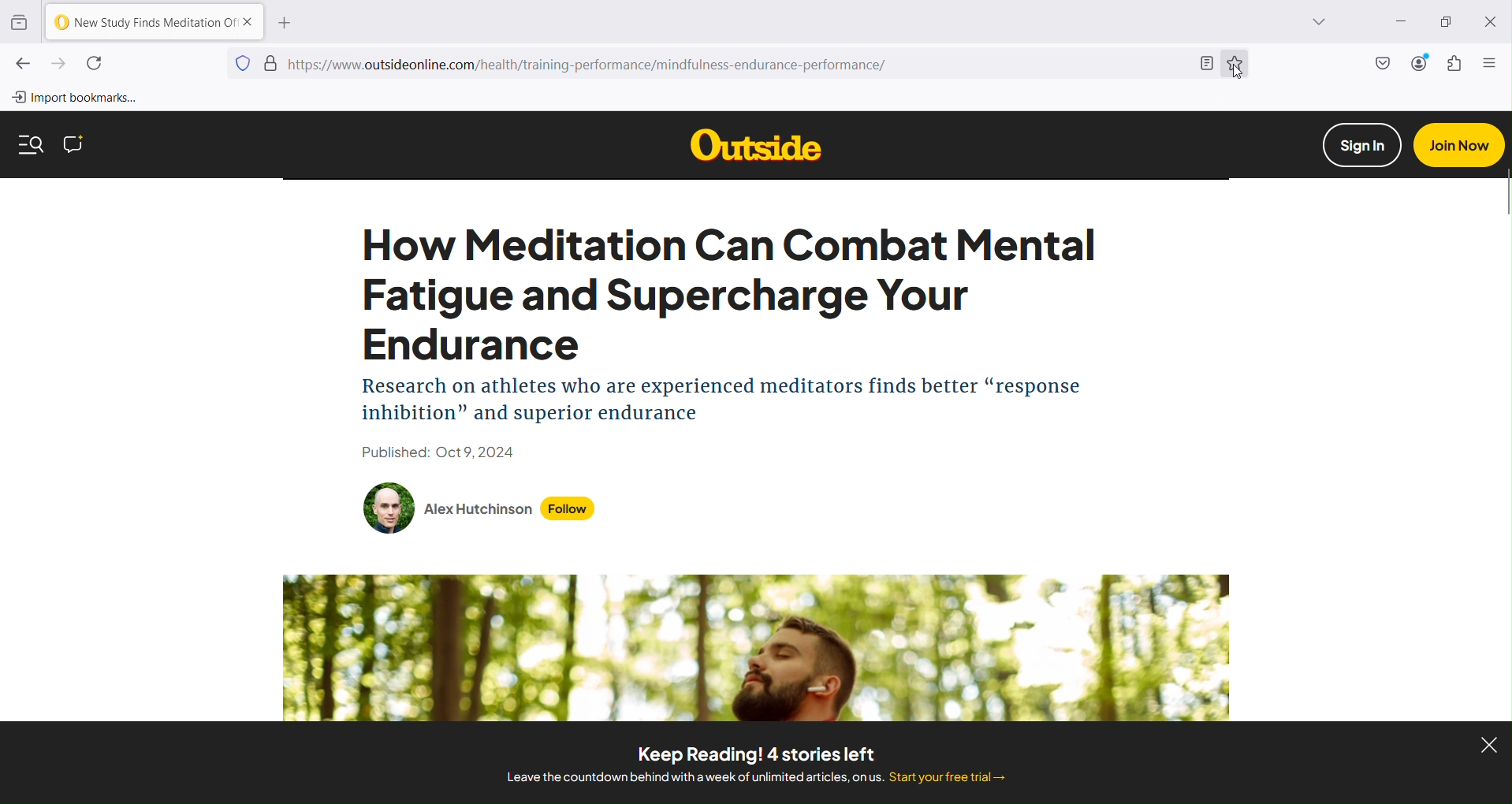 The height and width of the screenshot is (804, 1512). Describe the element at coordinates (568, 509) in the screenshot. I see `Follow button` at that location.